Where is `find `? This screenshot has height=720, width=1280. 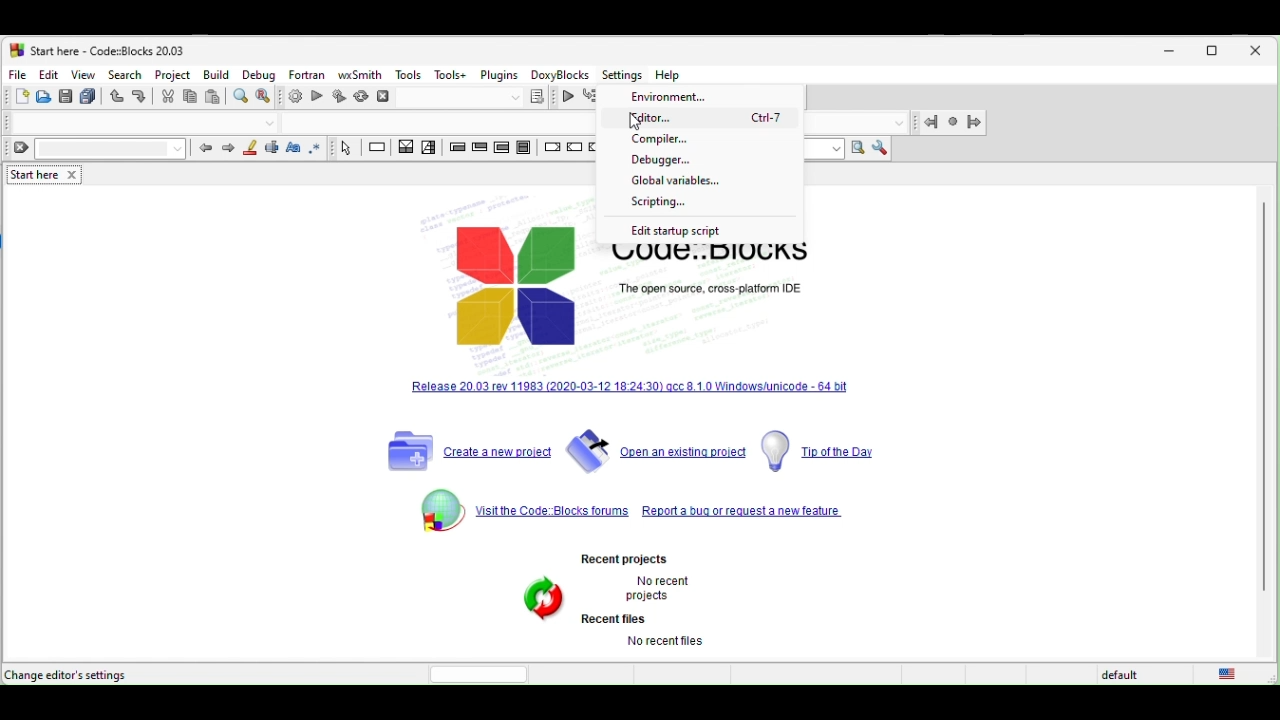
find  is located at coordinates (243, 97).